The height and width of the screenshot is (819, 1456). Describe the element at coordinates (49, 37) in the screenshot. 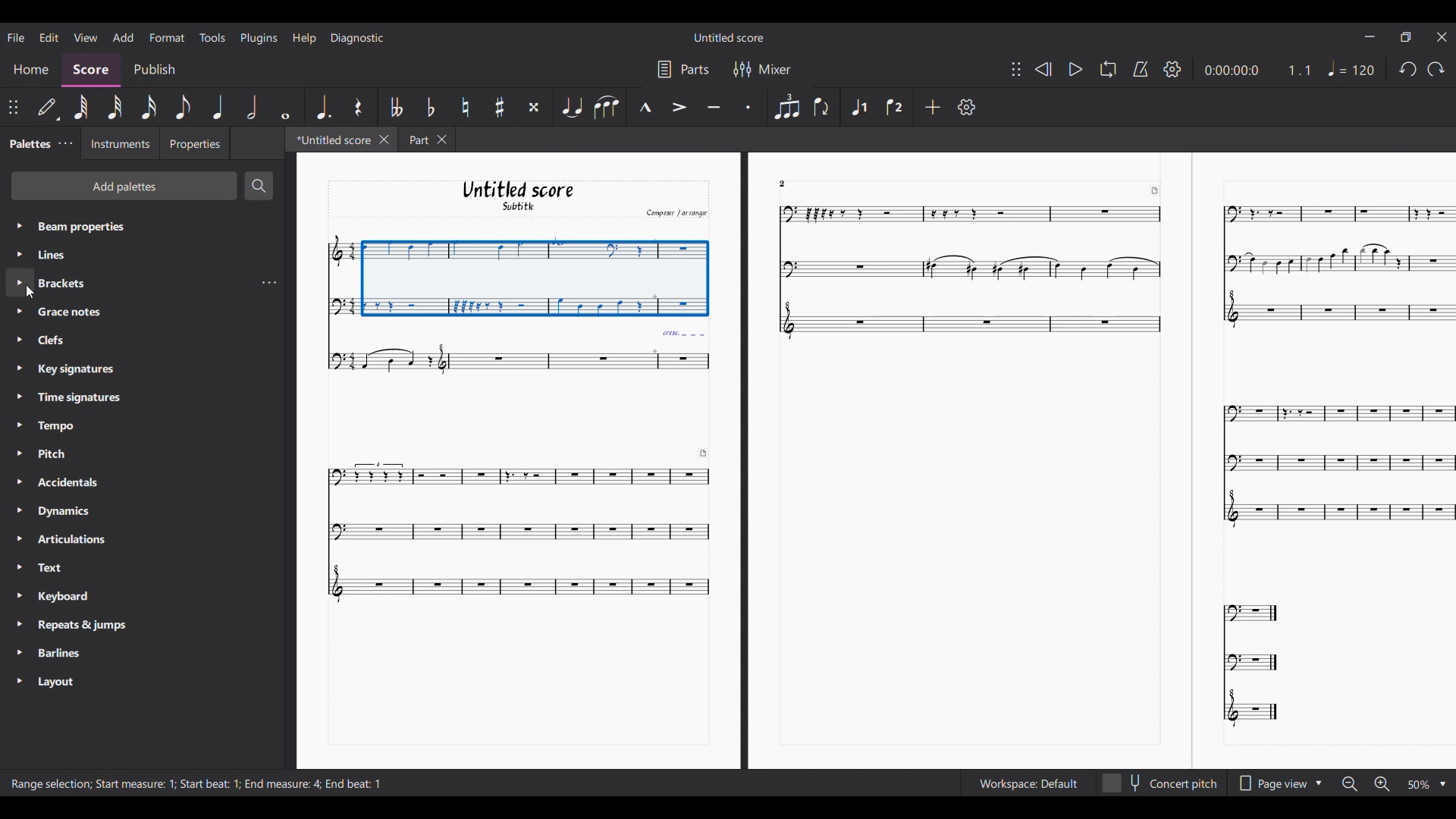

I see `Edit` at that location.